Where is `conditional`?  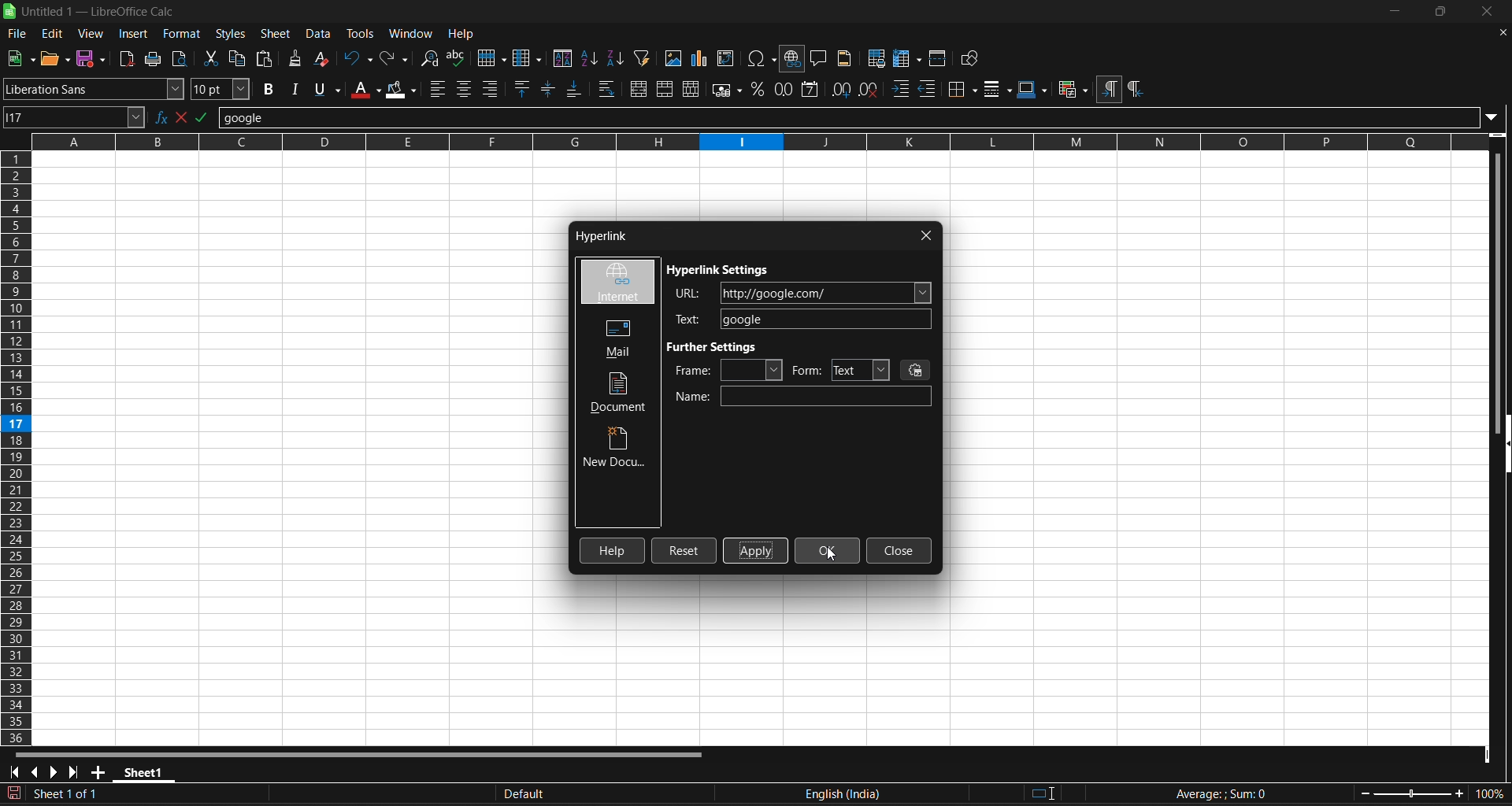
conditional is located at coordinates (1072, 90).